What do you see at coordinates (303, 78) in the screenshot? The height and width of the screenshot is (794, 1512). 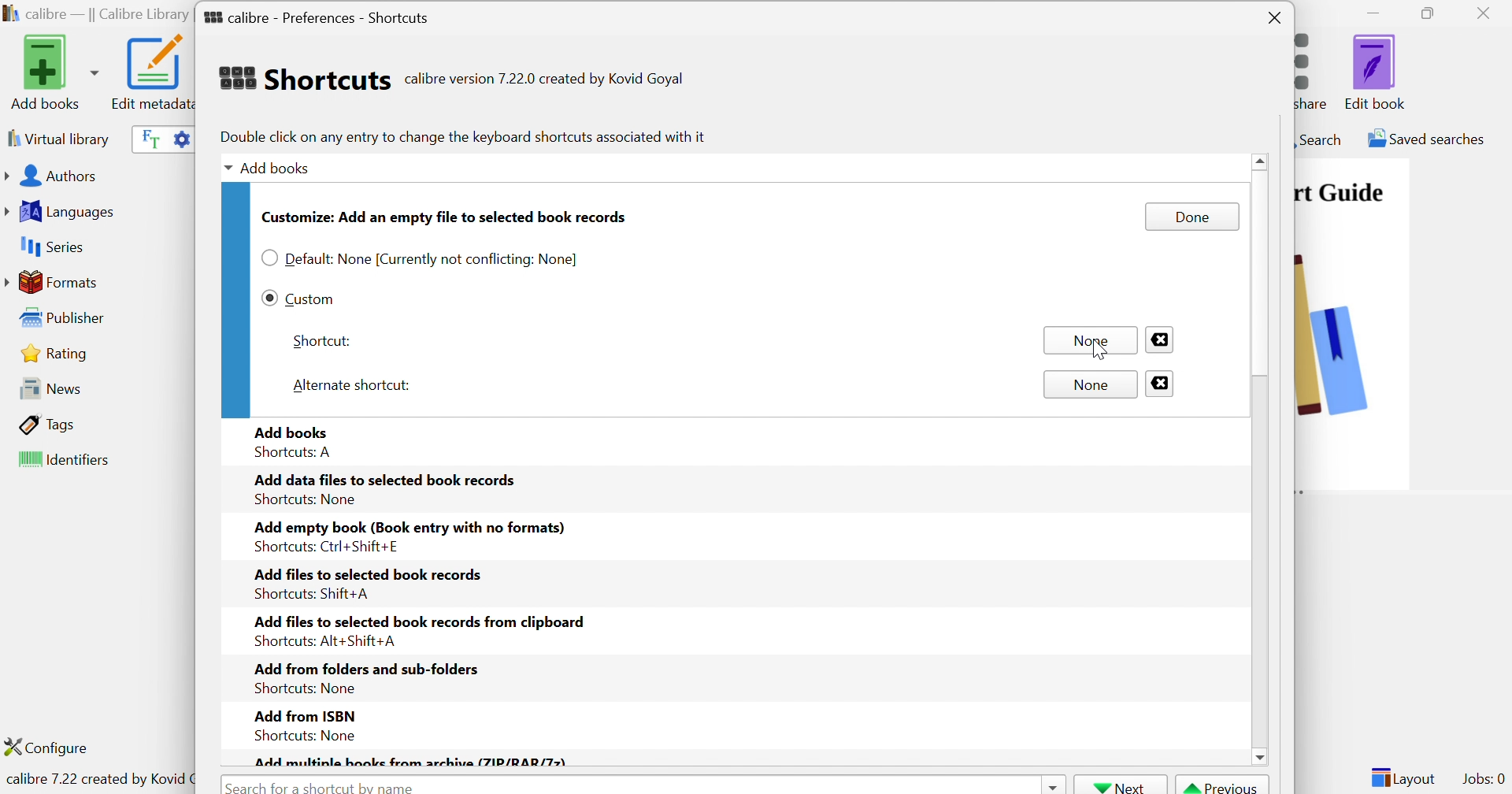 I see `Shortcuts` at bounding box center [303, 78].